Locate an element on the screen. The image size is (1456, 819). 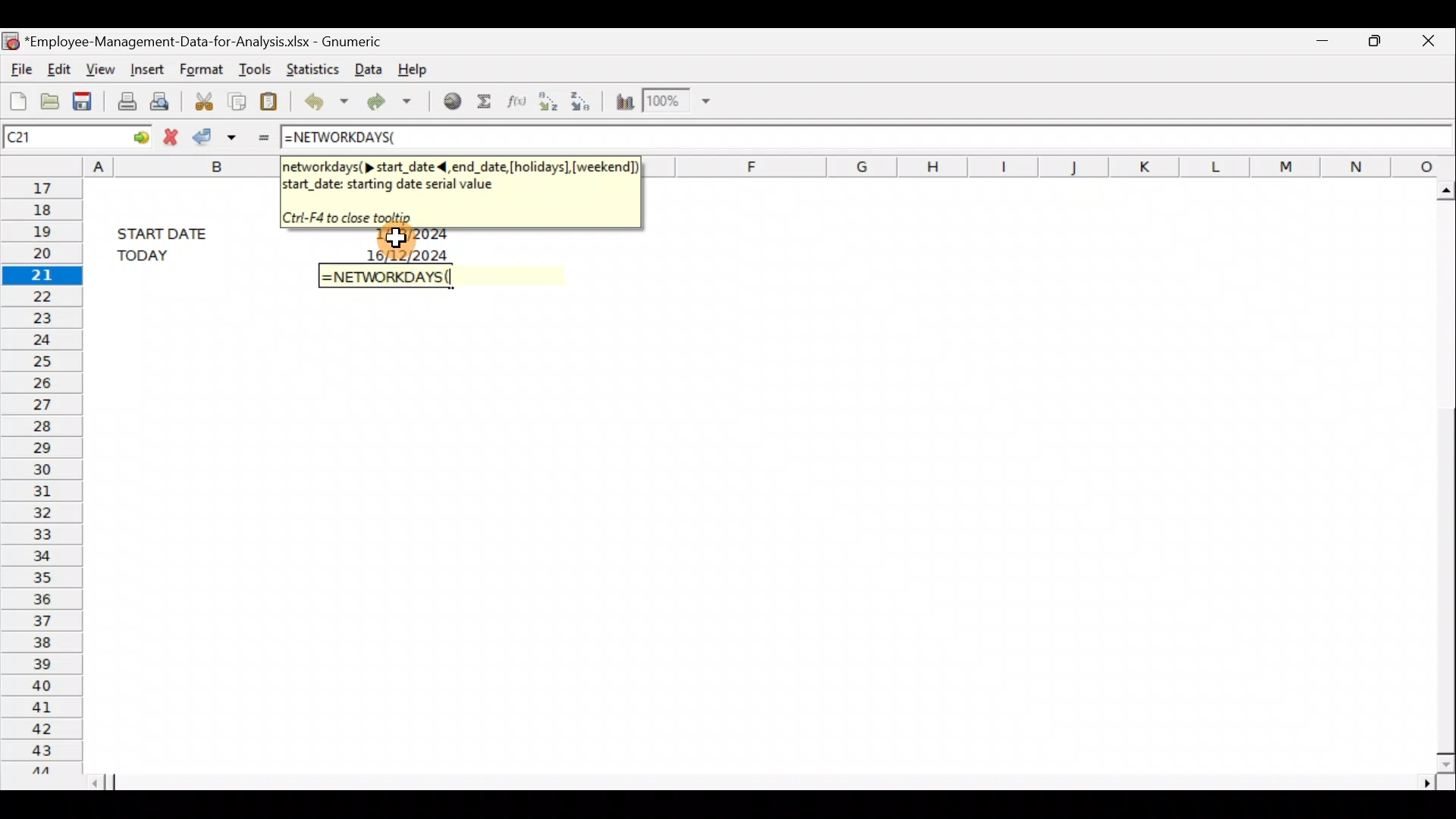
Edit is located at coordinates (61, 69).